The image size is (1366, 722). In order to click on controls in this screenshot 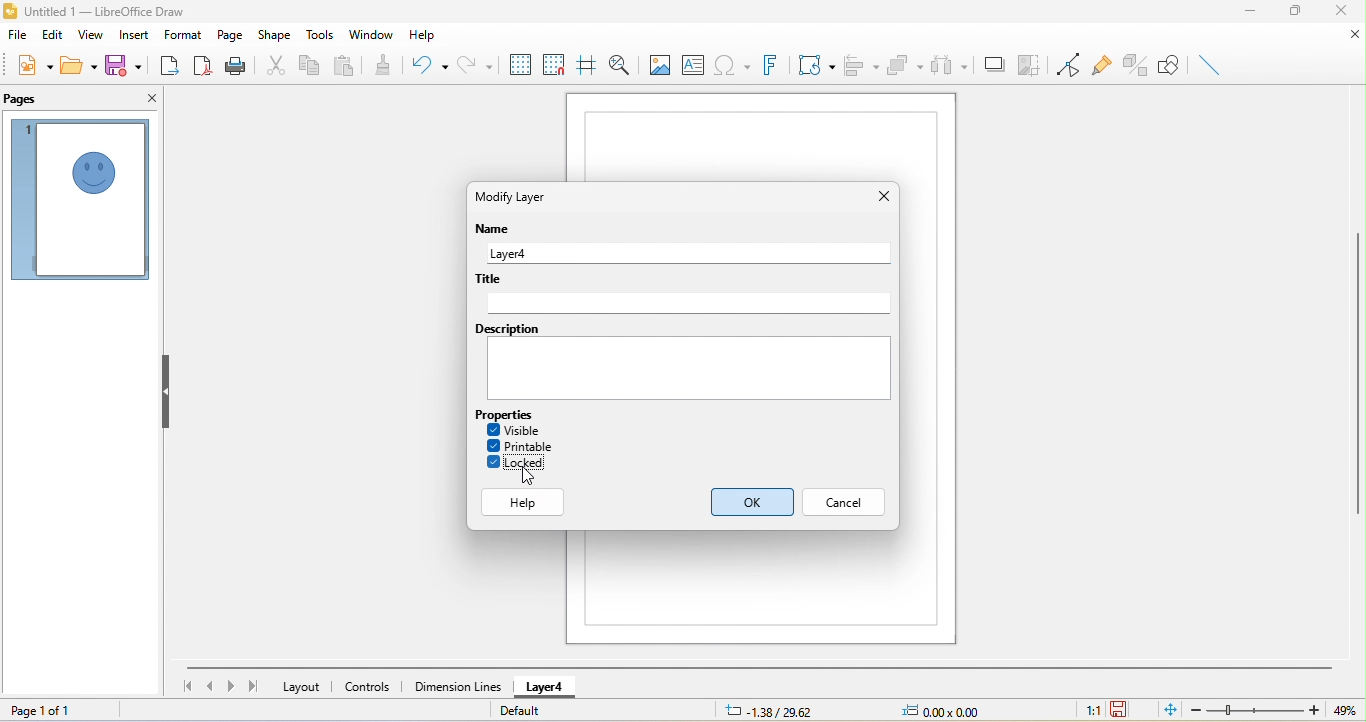, I will do `click(369, 687)`.